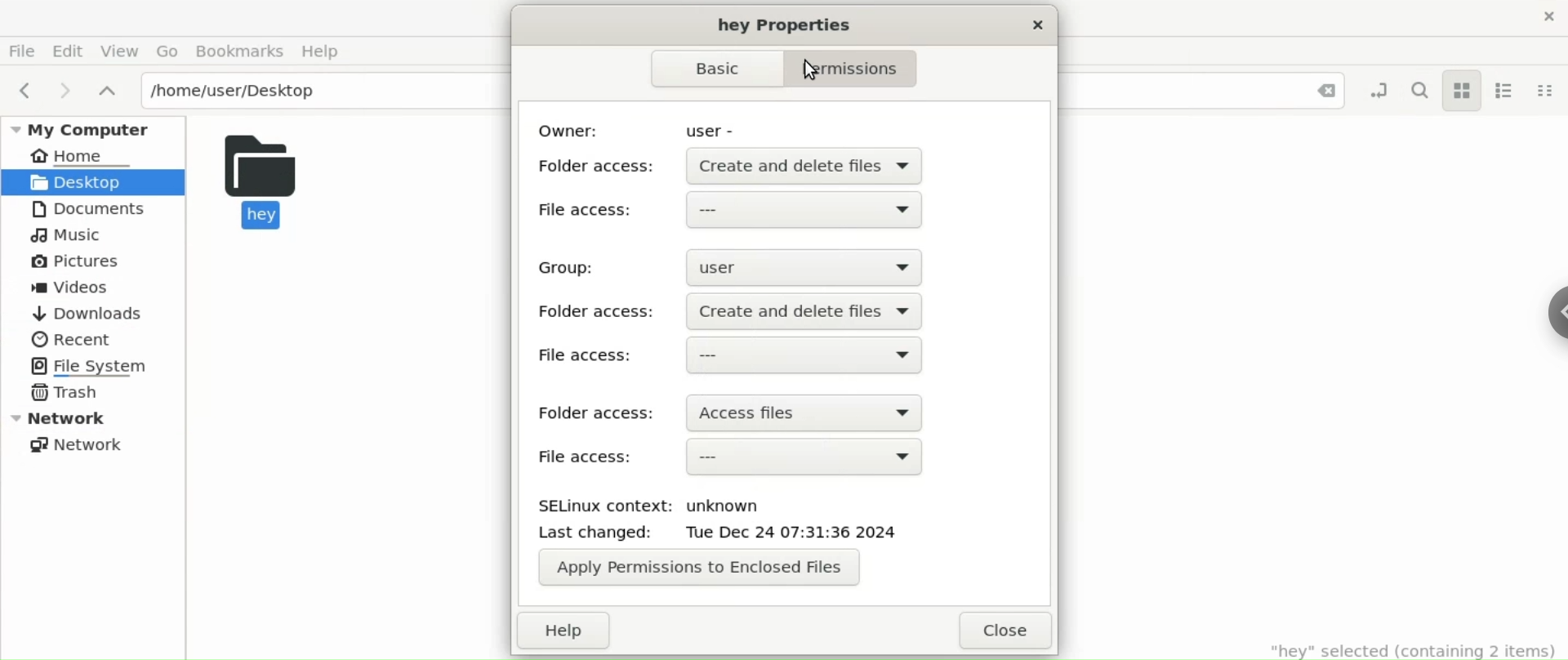 Image resolution: width=1568 pixels, height=660 pixels. Describe the element at coordinates (105, 154) in the screenshot. I see `Home` at that location.